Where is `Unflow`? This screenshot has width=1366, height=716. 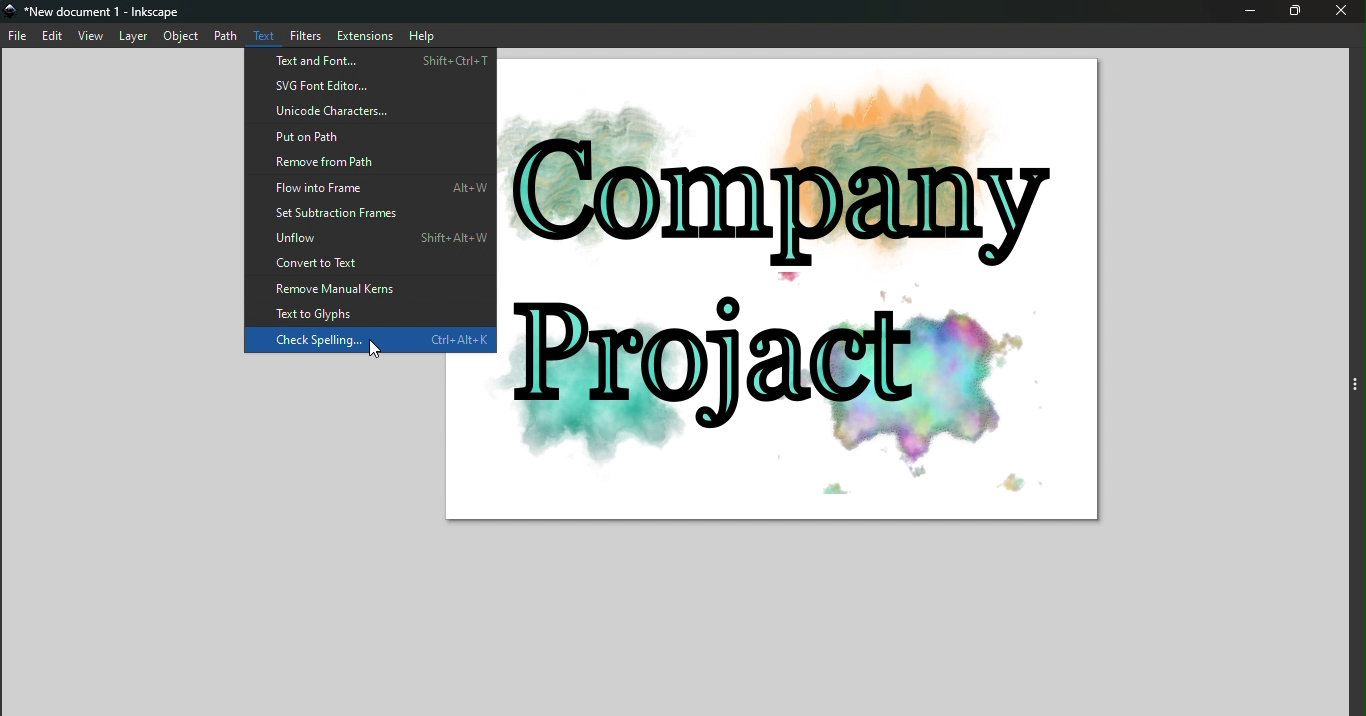 Unflow is located at coordinates (371, 235).